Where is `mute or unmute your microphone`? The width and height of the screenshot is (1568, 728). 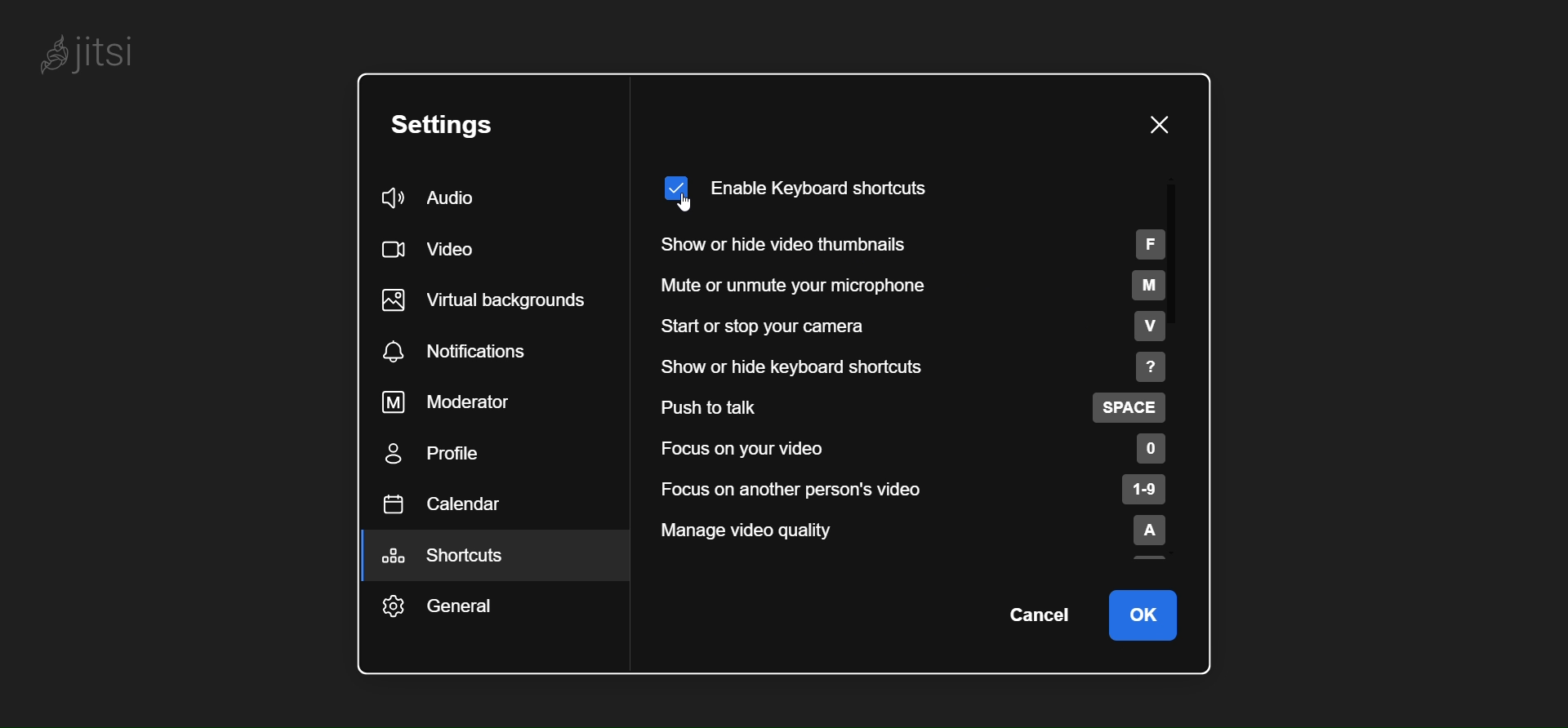 mute or unmute your microphone is located at coordinates (917, 282).